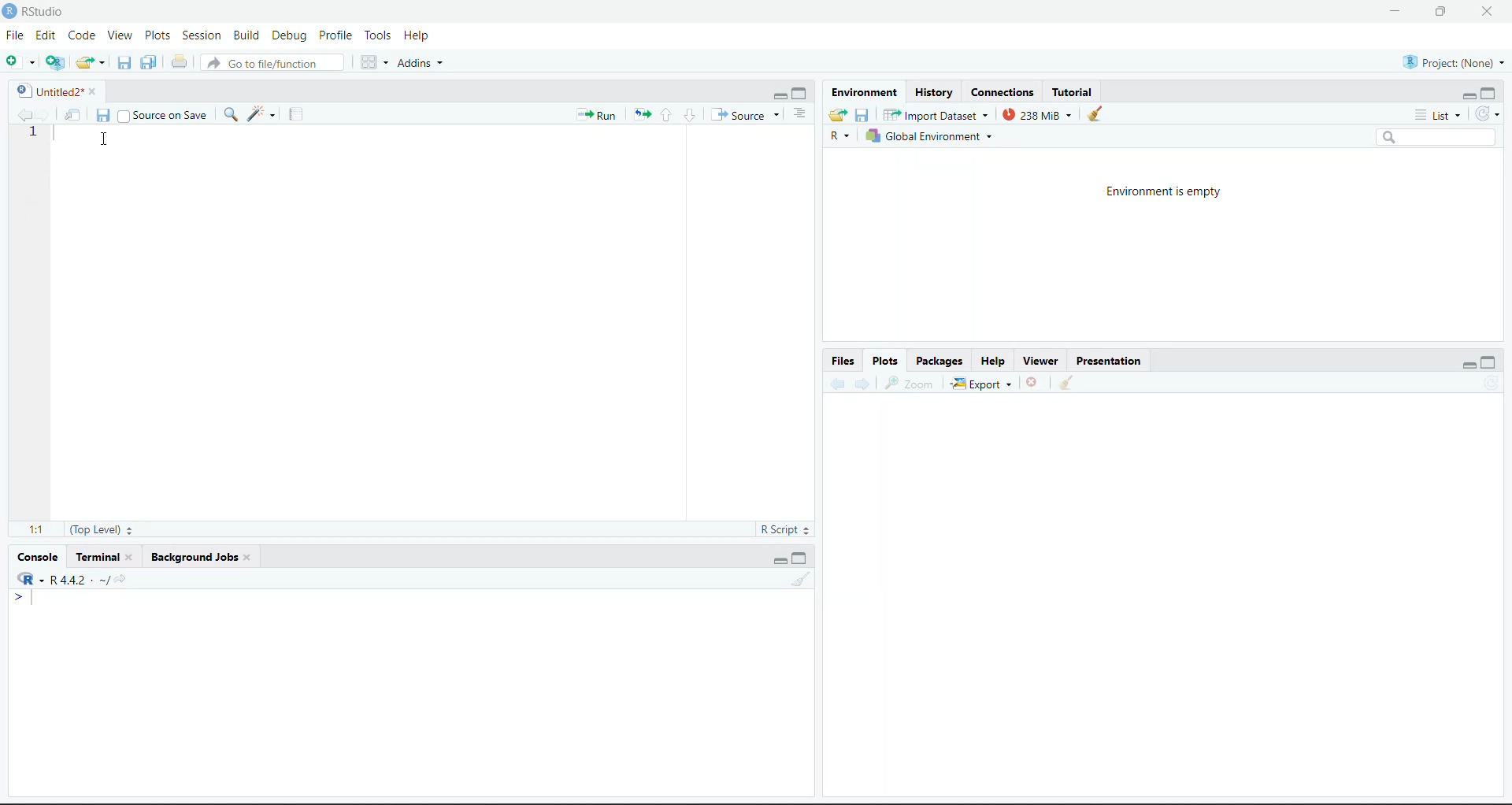 The width and height of the screenshot is (1512, 805). I want to click on List, so click(1439, 116).